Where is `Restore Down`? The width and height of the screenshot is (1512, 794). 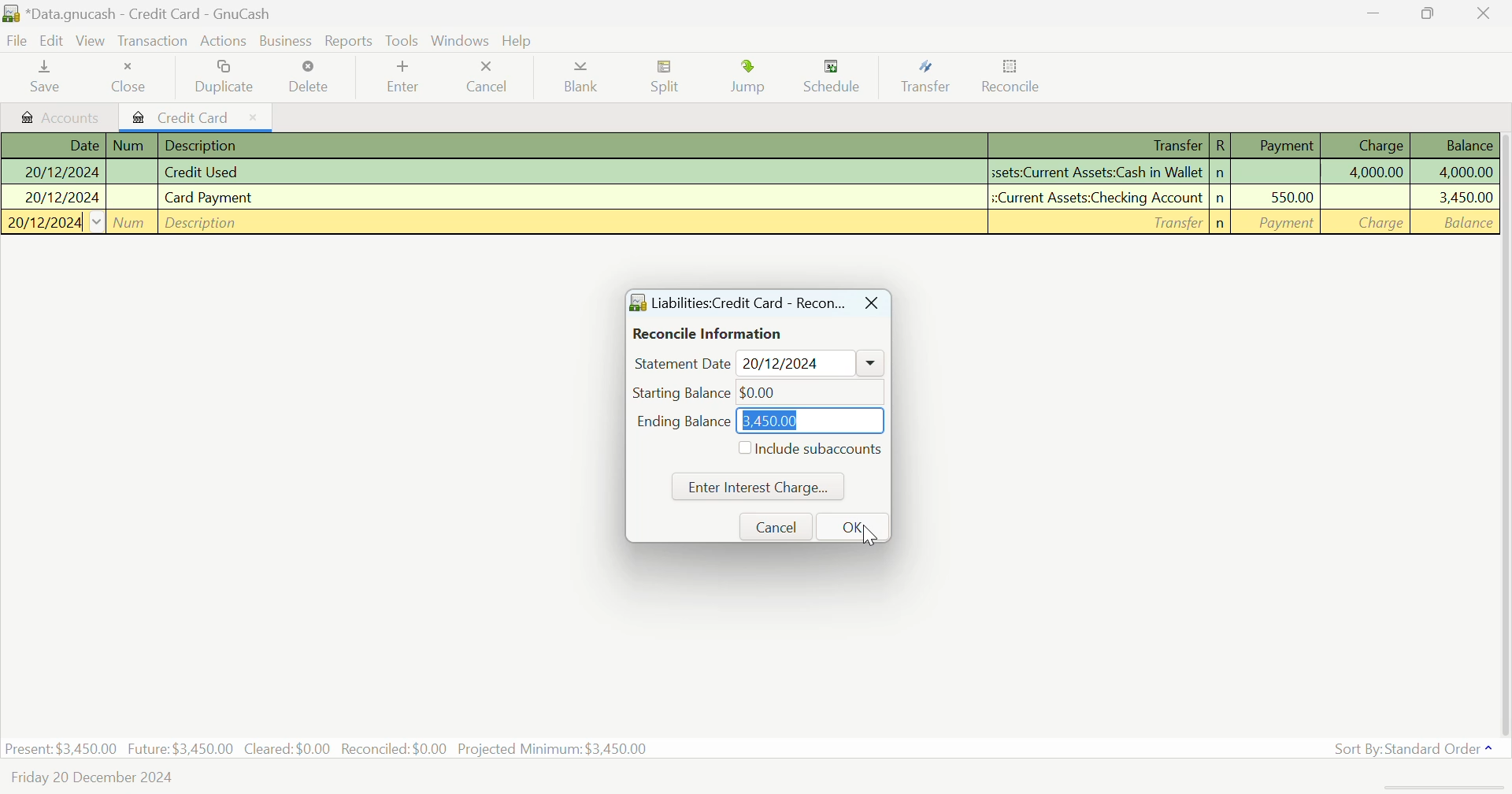 Restore Down is located at coordinates (1375, 13).